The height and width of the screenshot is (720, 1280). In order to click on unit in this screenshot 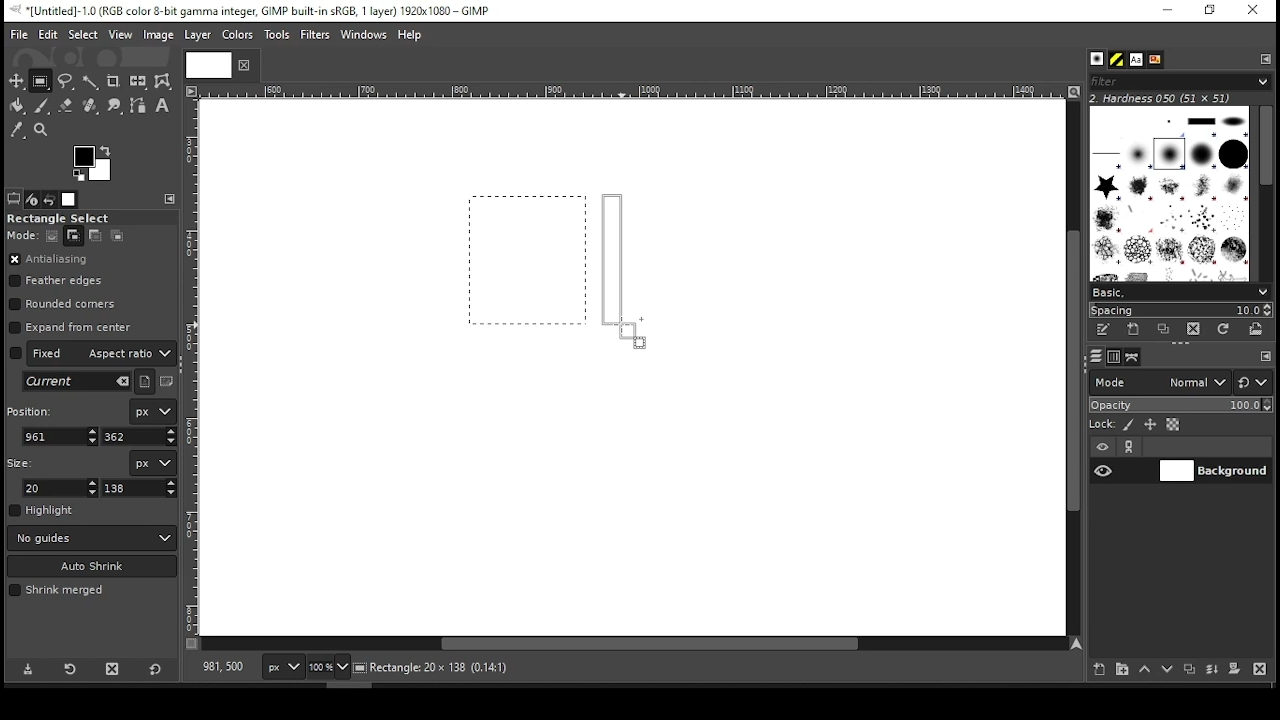, I will do `click(154, 412)`.